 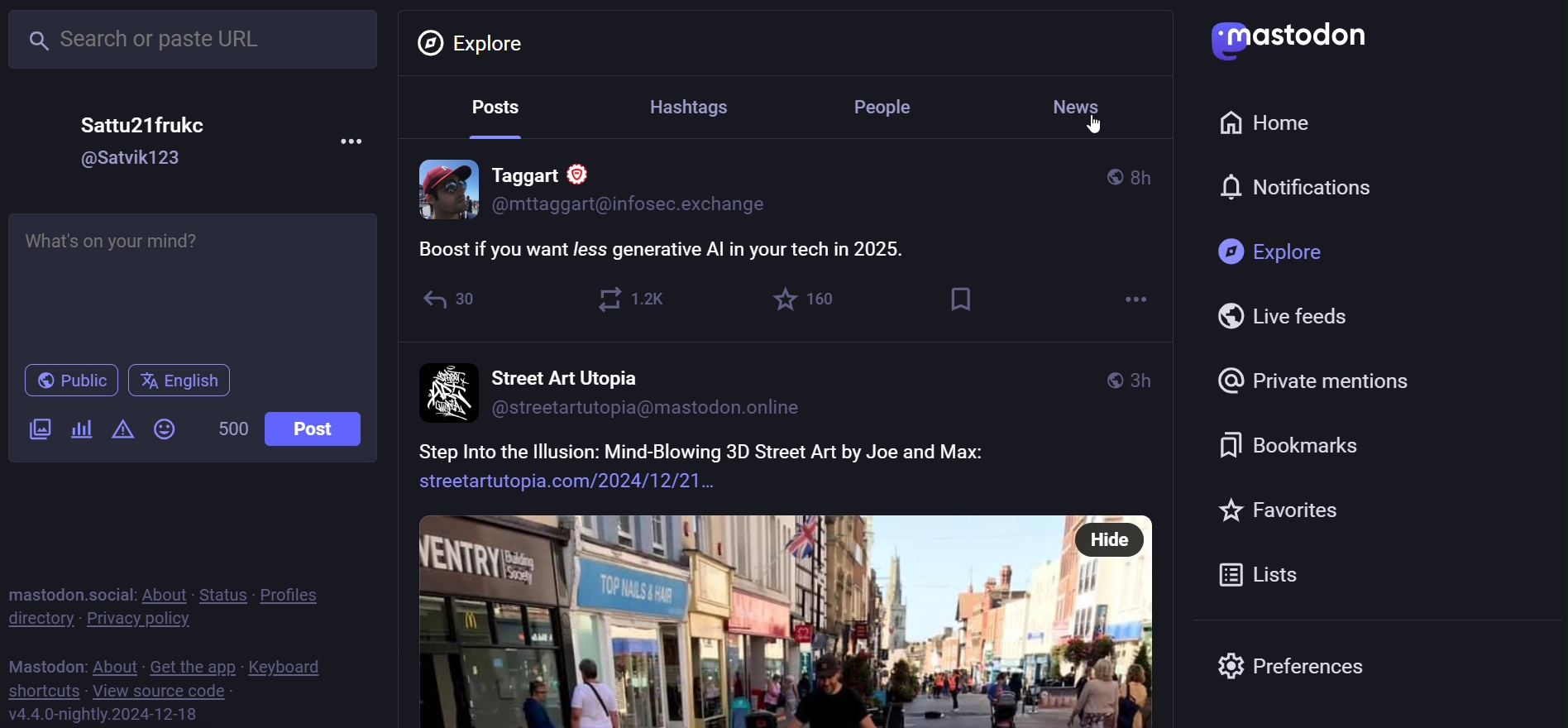 What do you see at coordinates (36, 620) in the screenshot?
I see `directory` at bounding box center [36, 620].